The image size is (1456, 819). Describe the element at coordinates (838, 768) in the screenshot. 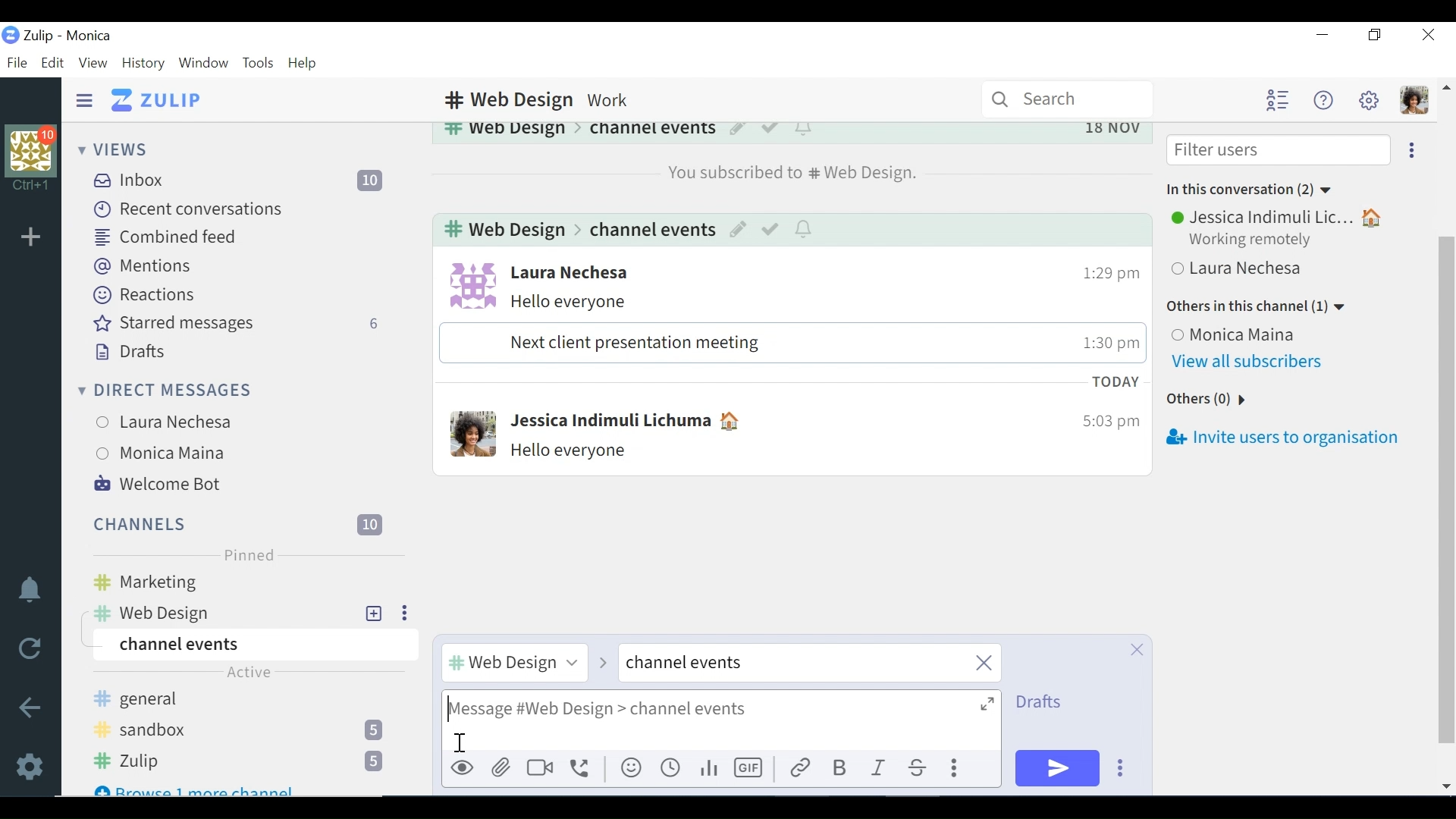

I see `Bold` at that location.